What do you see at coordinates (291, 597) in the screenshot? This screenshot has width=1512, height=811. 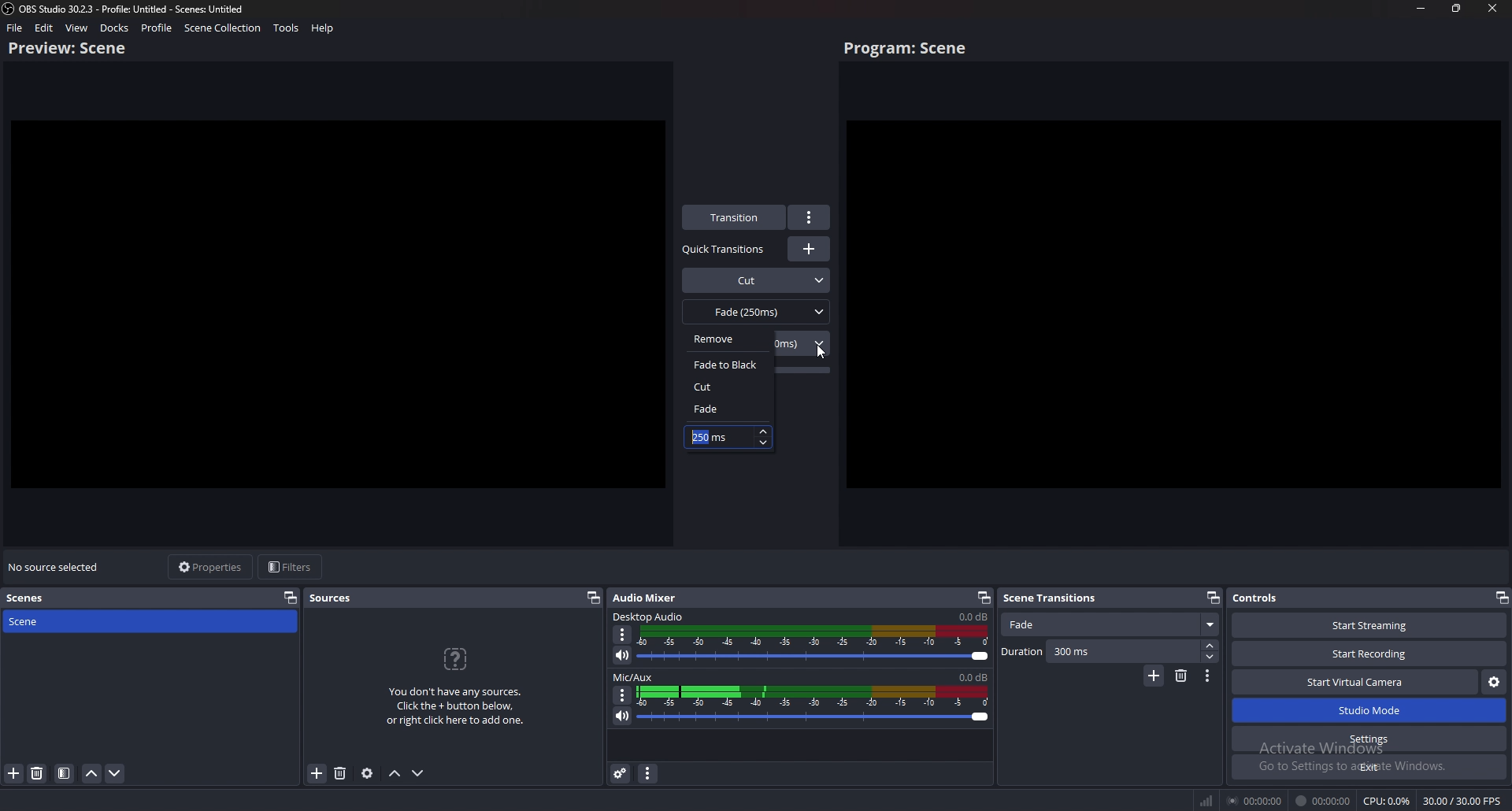 I see `pop out` at bounding box center [291, 597].